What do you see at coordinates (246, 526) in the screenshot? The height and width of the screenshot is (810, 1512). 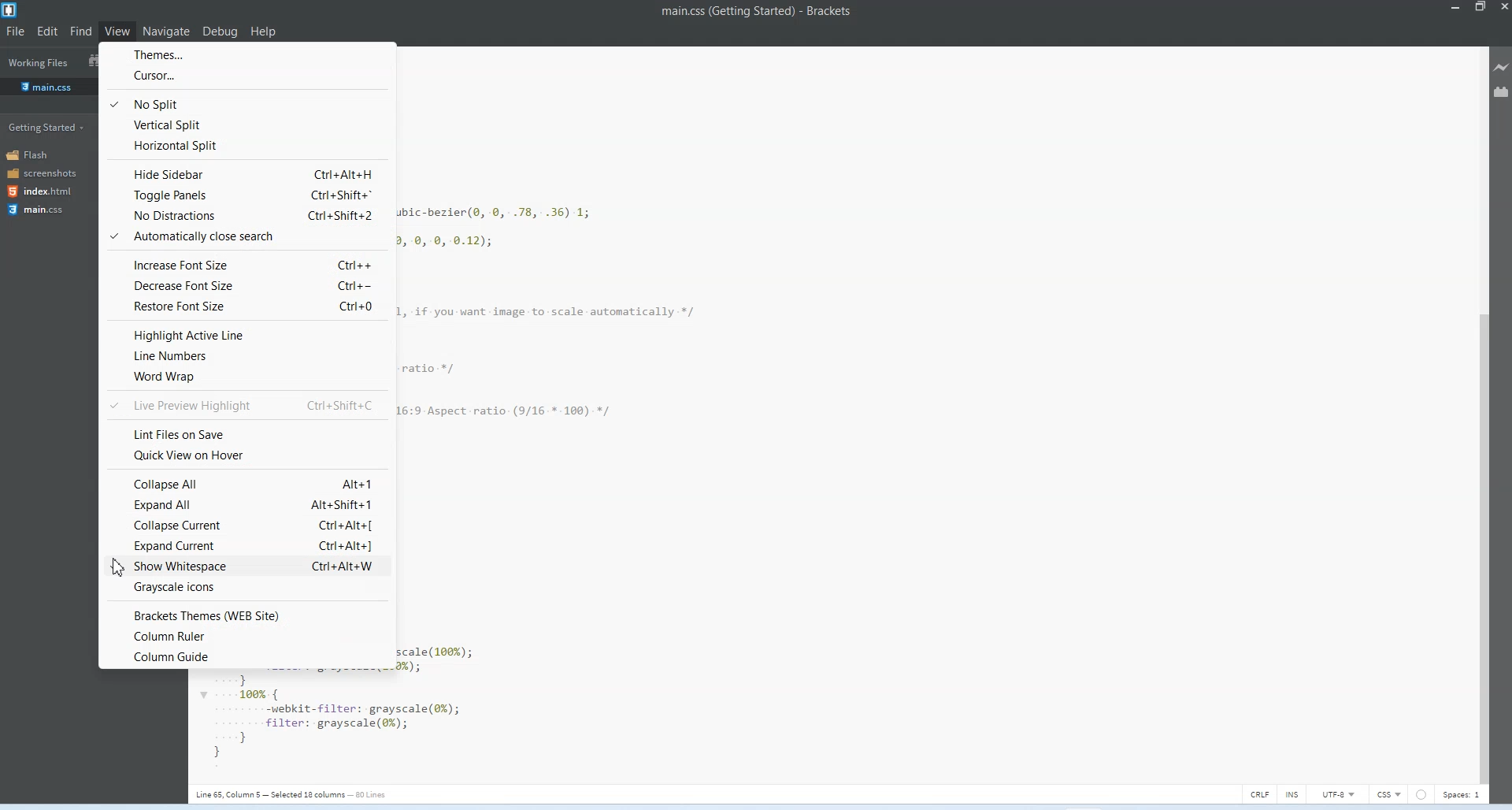 I see `Collapse current` at bounding box center [246, 526].